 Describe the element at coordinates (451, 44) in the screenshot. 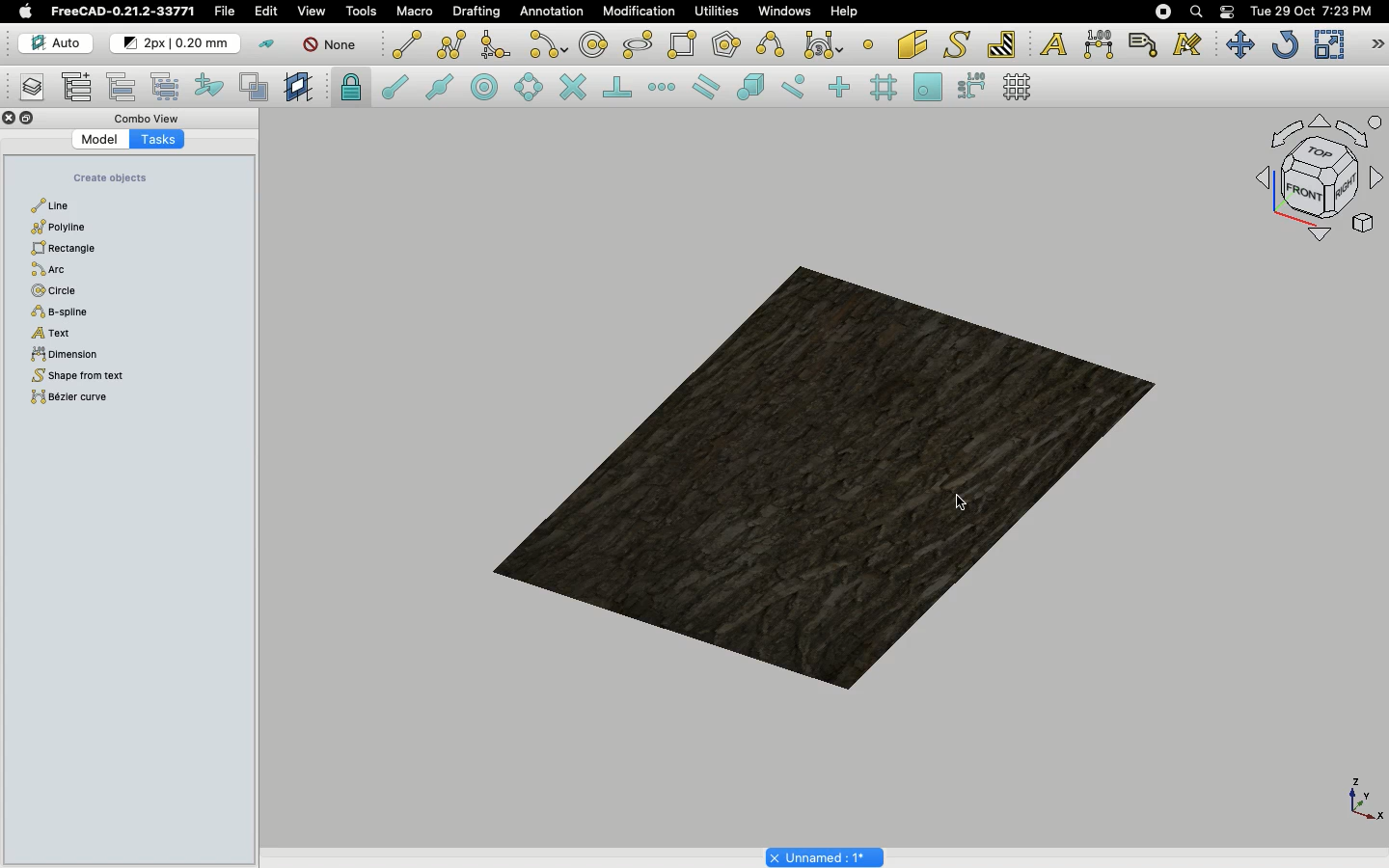

I see `Polyline` at that location.